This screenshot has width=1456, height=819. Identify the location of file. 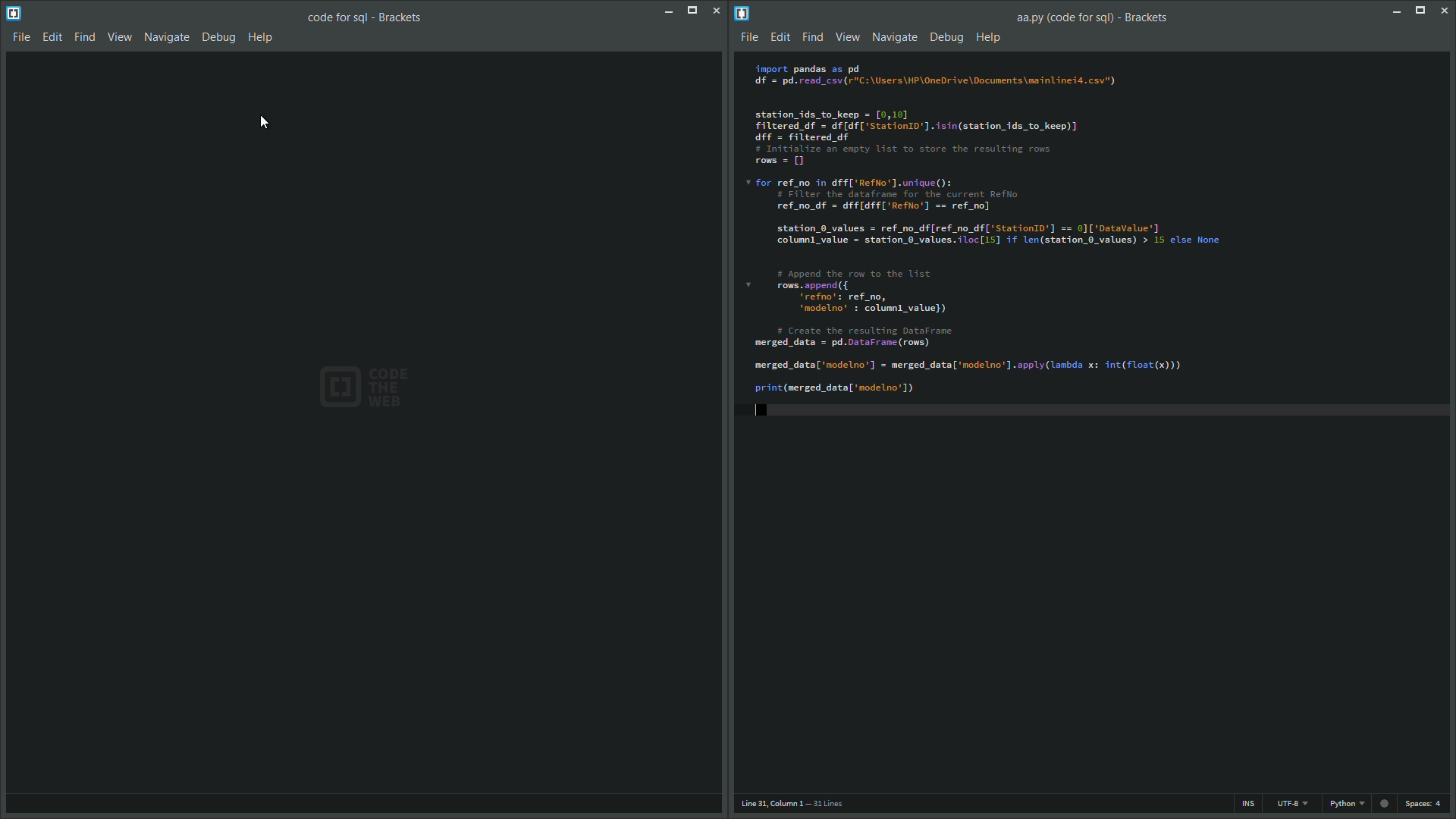
(750, 37).